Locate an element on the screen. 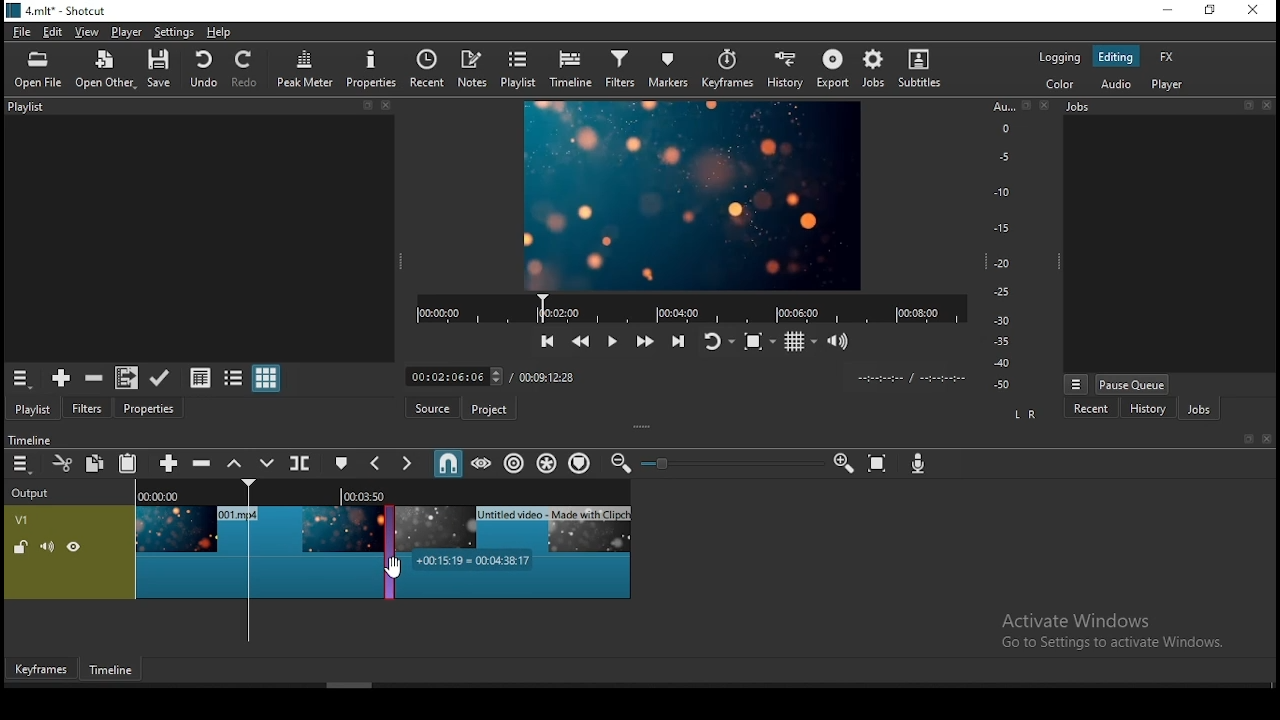 This screenshot has height=720, width=1280. zoom timeline to fit is located at coordinates (879, 462).